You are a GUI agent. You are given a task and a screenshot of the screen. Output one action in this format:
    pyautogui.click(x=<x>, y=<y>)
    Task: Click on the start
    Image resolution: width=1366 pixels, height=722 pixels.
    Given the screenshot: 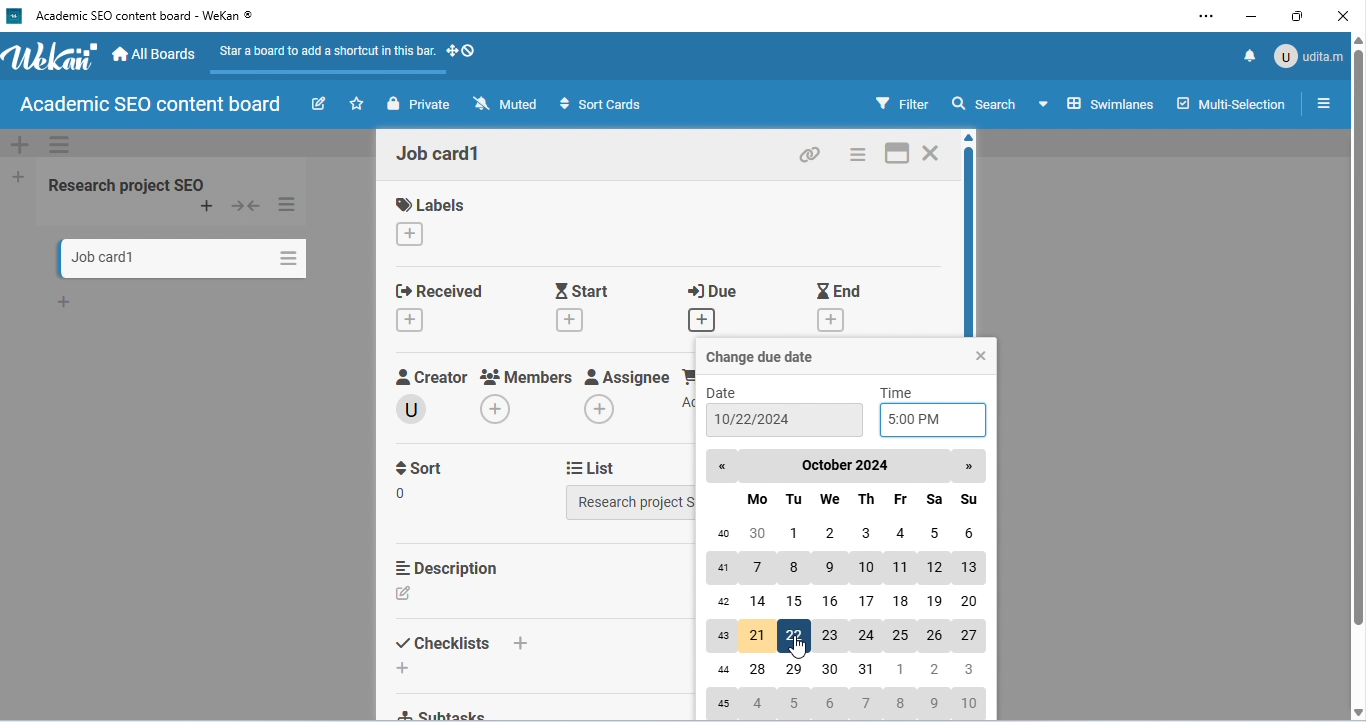 What is the action you would take?
    pyautogui.click(x=587, y=290)
    